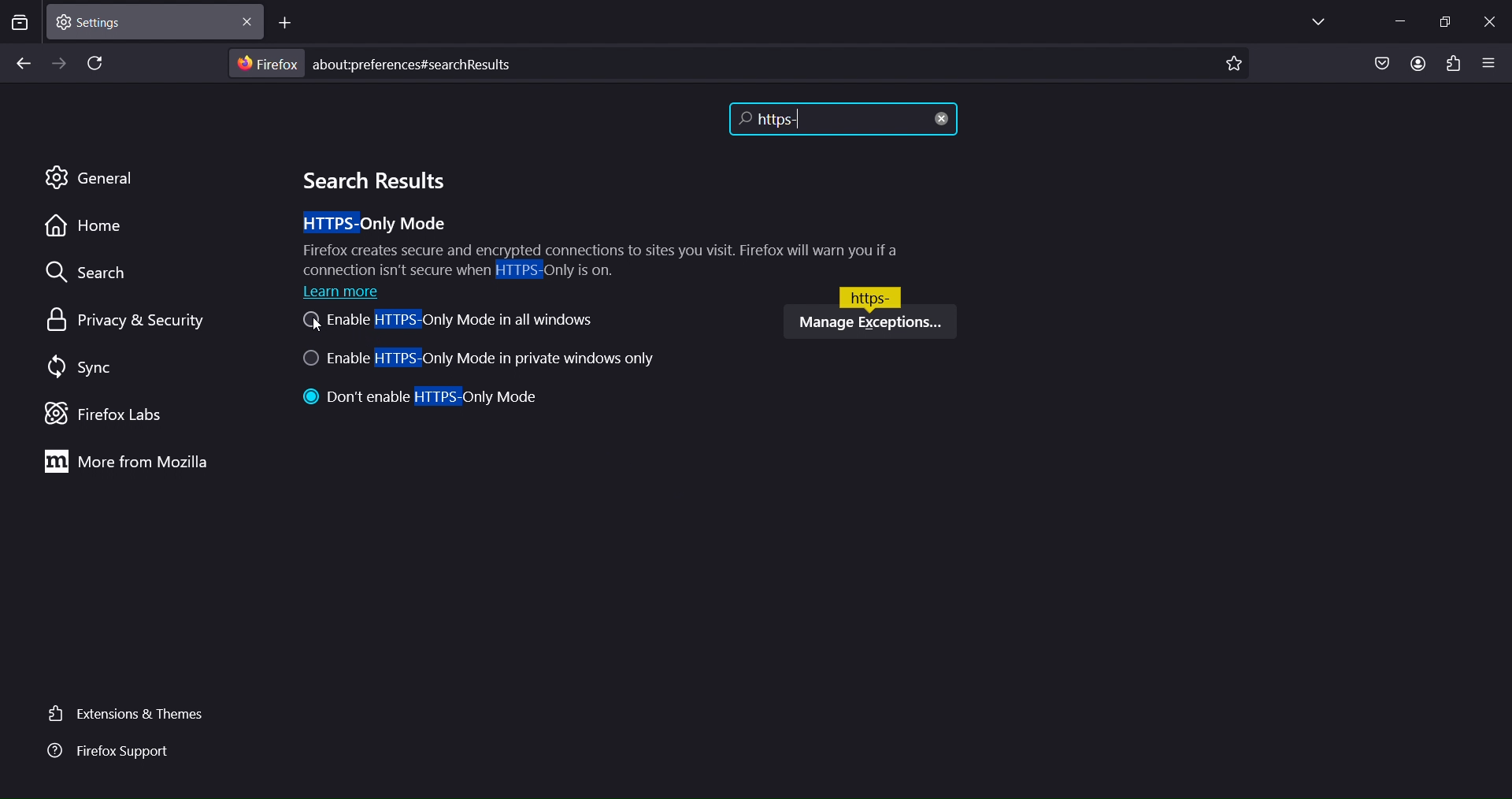 The height and width of the screenshot is (799, 1512). Describe the element at coordinates (346, 292) in the screenshot. I see `learn more` at that location.